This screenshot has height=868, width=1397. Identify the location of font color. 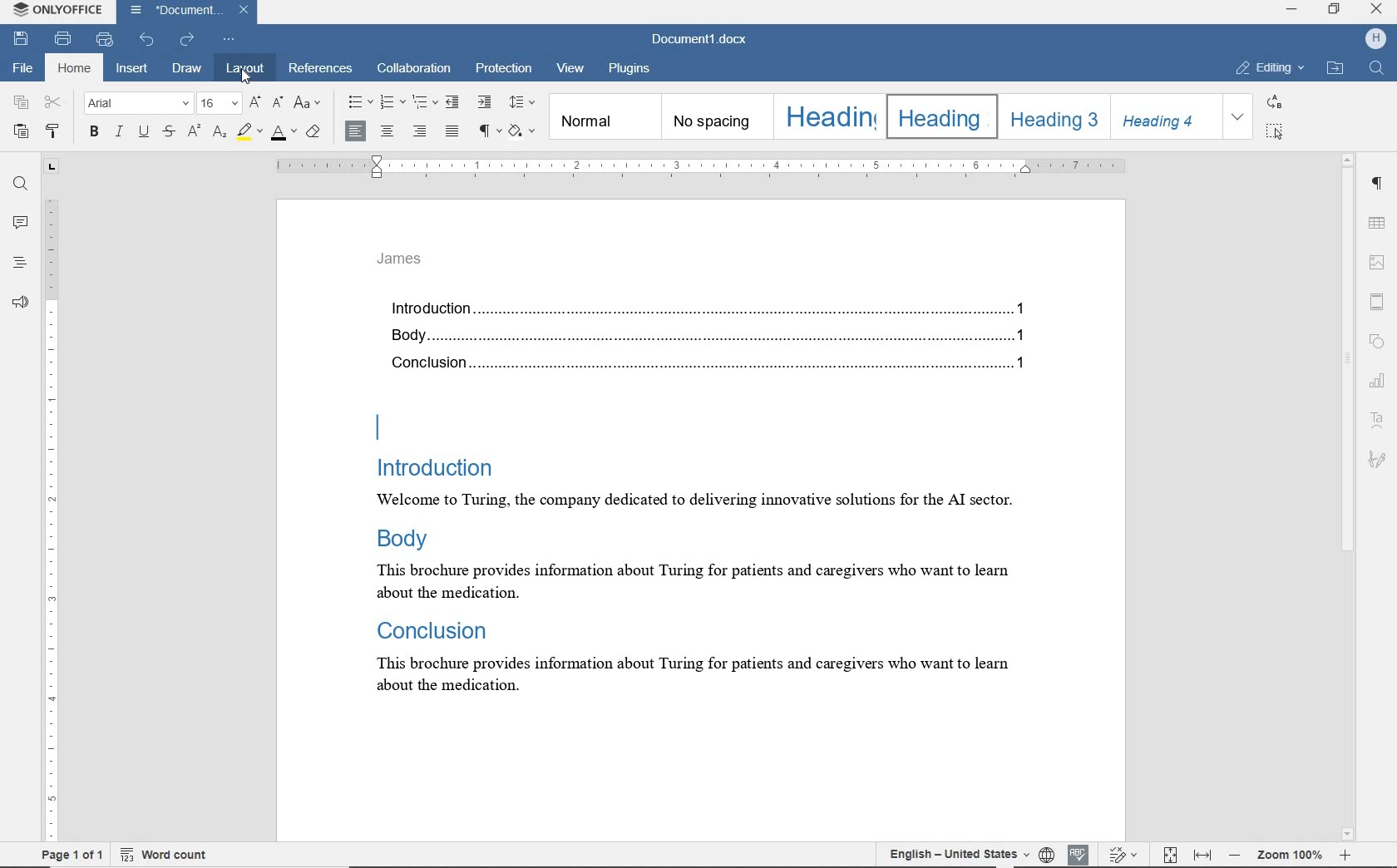
(285, 132).